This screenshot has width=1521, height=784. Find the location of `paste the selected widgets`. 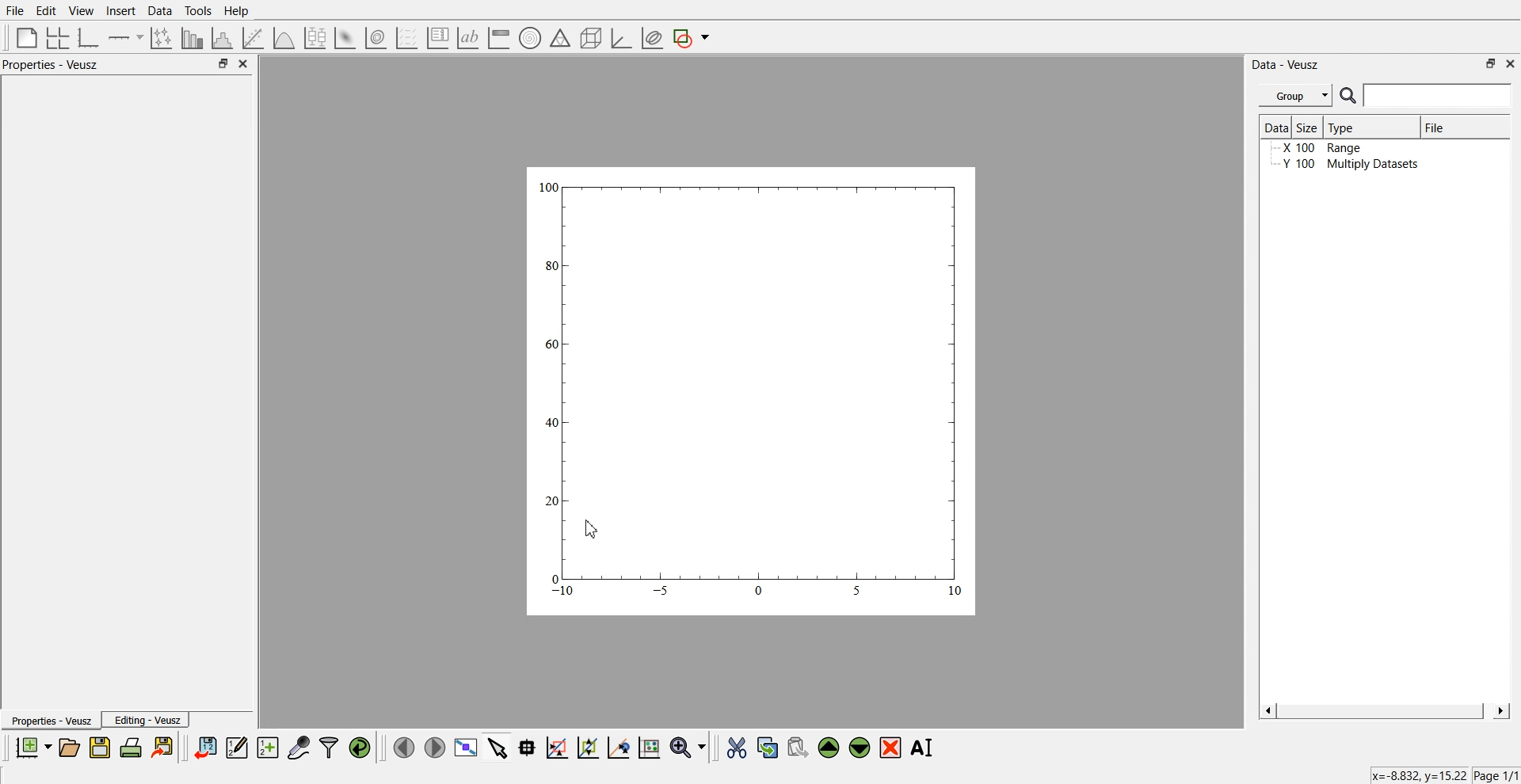

paste the selected widgets is located at coordinates (796, 747).